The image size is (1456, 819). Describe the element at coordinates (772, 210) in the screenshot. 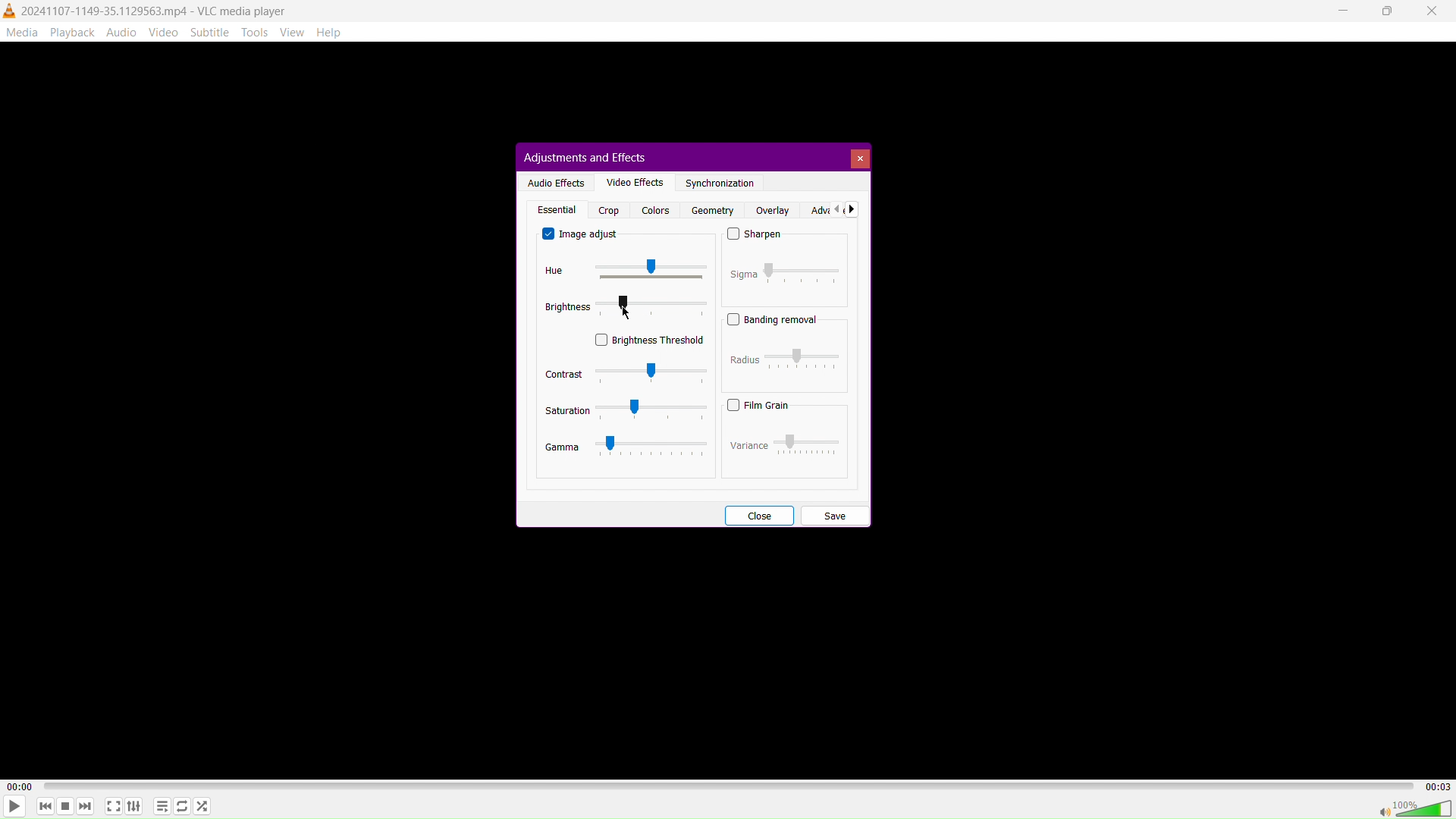

I see `Overlay` at that location.